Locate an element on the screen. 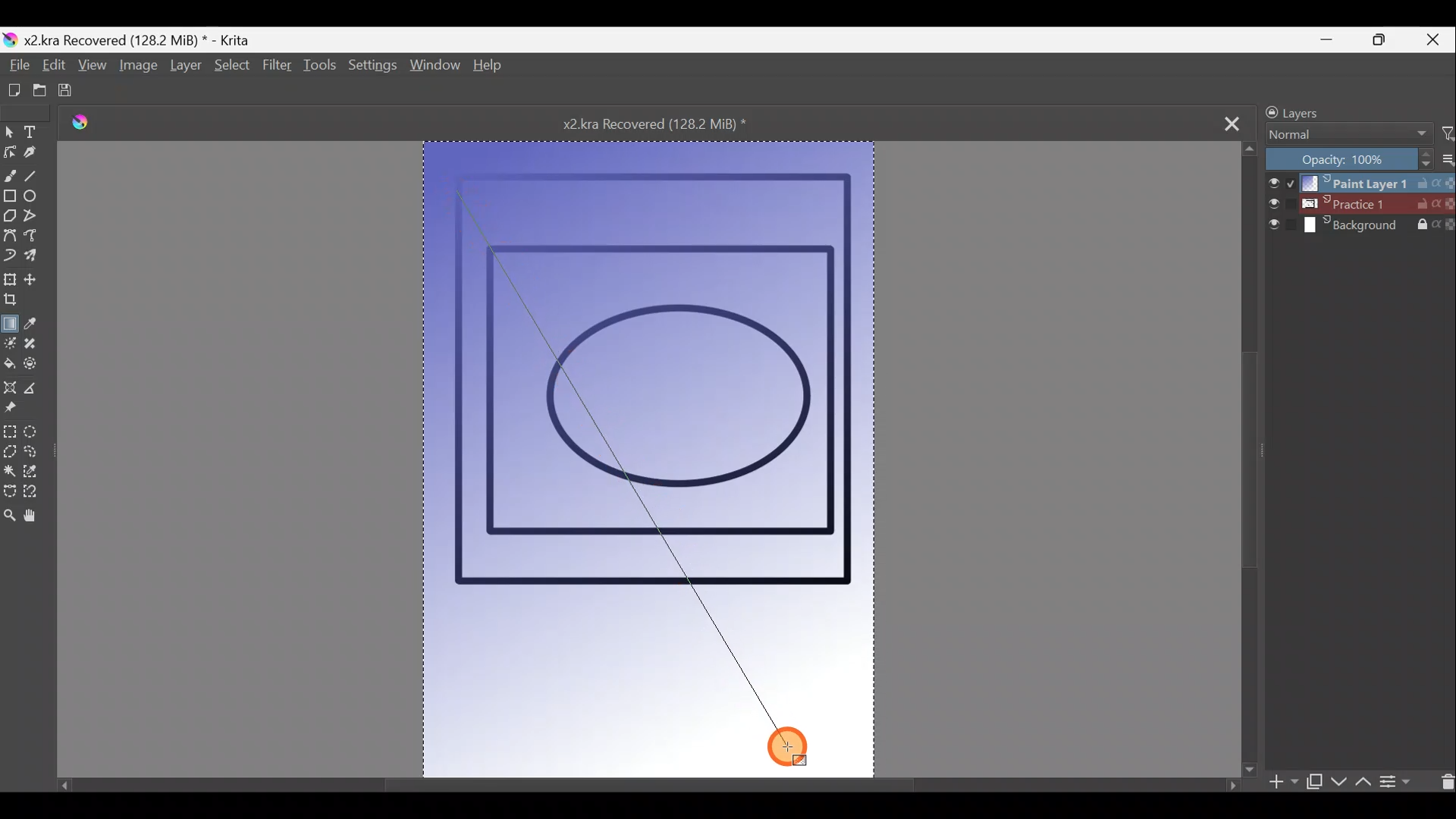 The width and height of the screenshot is (1456, 819). Layers is located at coordinates (1332, 110).